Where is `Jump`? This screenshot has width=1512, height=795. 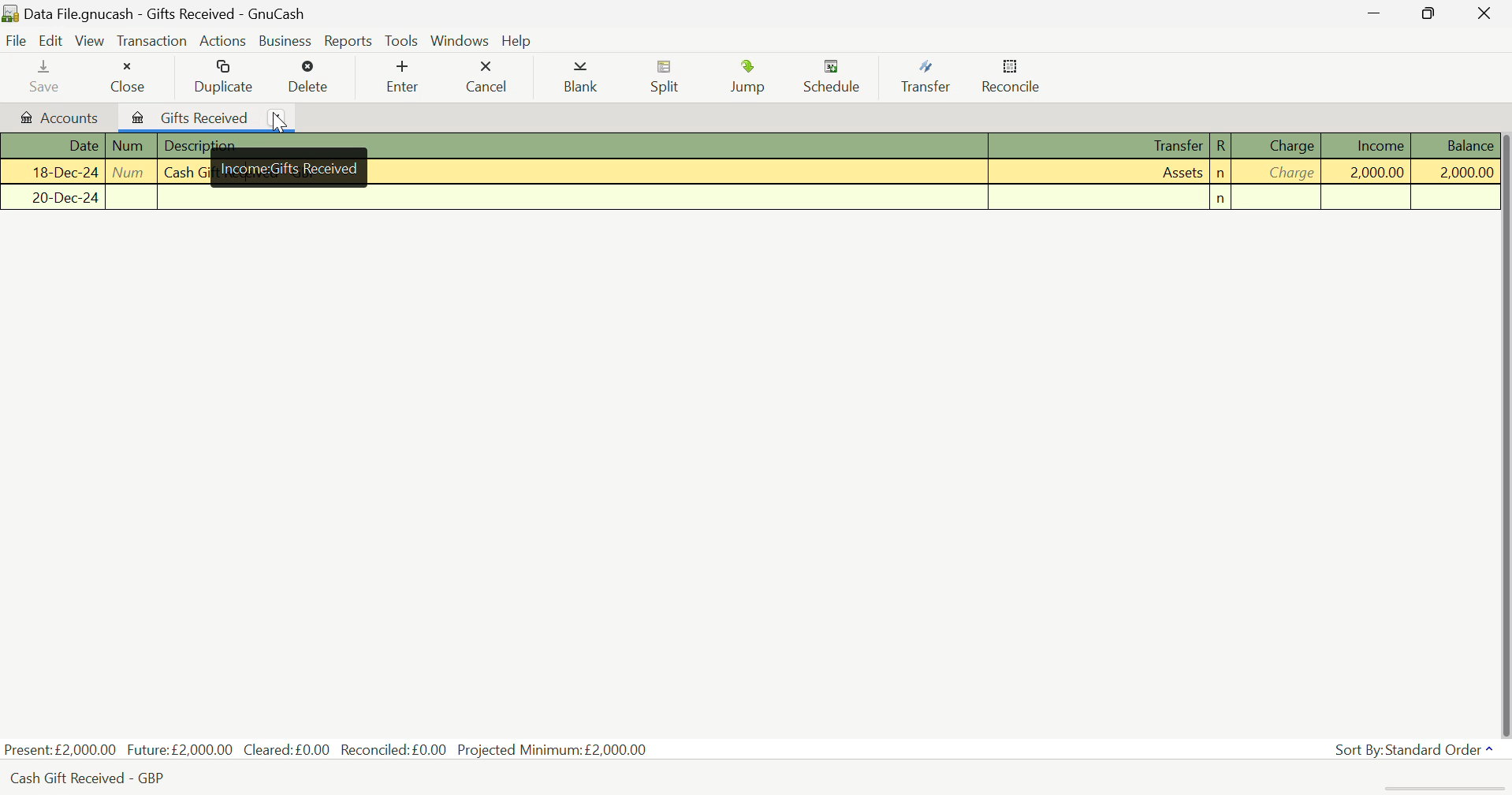 Jump is located at coordinates (753, 77).